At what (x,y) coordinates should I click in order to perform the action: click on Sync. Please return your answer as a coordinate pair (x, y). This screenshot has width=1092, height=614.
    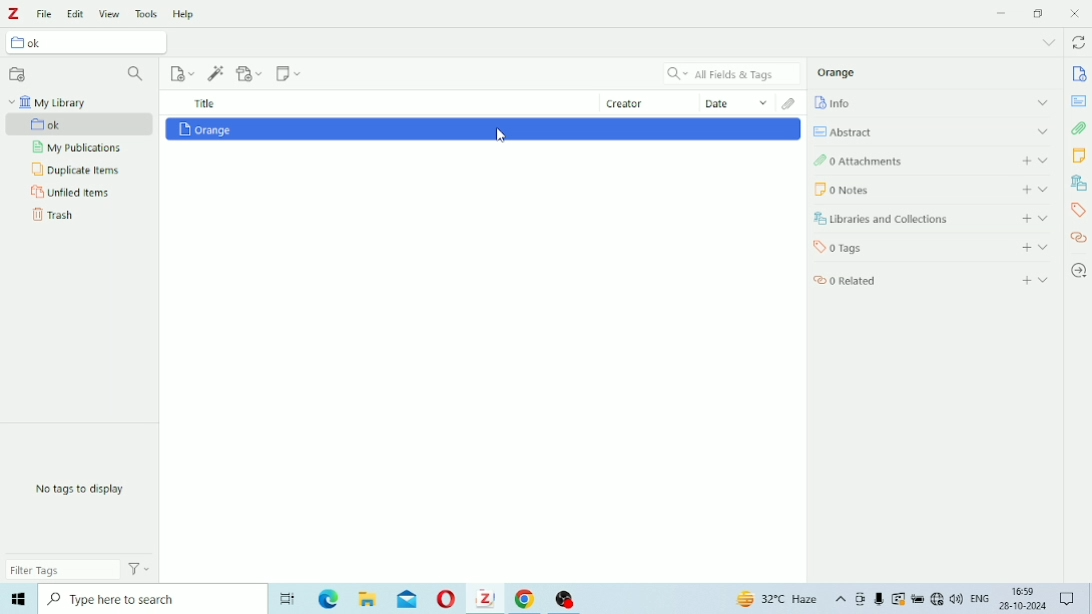
    Looking at the image, I should click on (1078, 44).